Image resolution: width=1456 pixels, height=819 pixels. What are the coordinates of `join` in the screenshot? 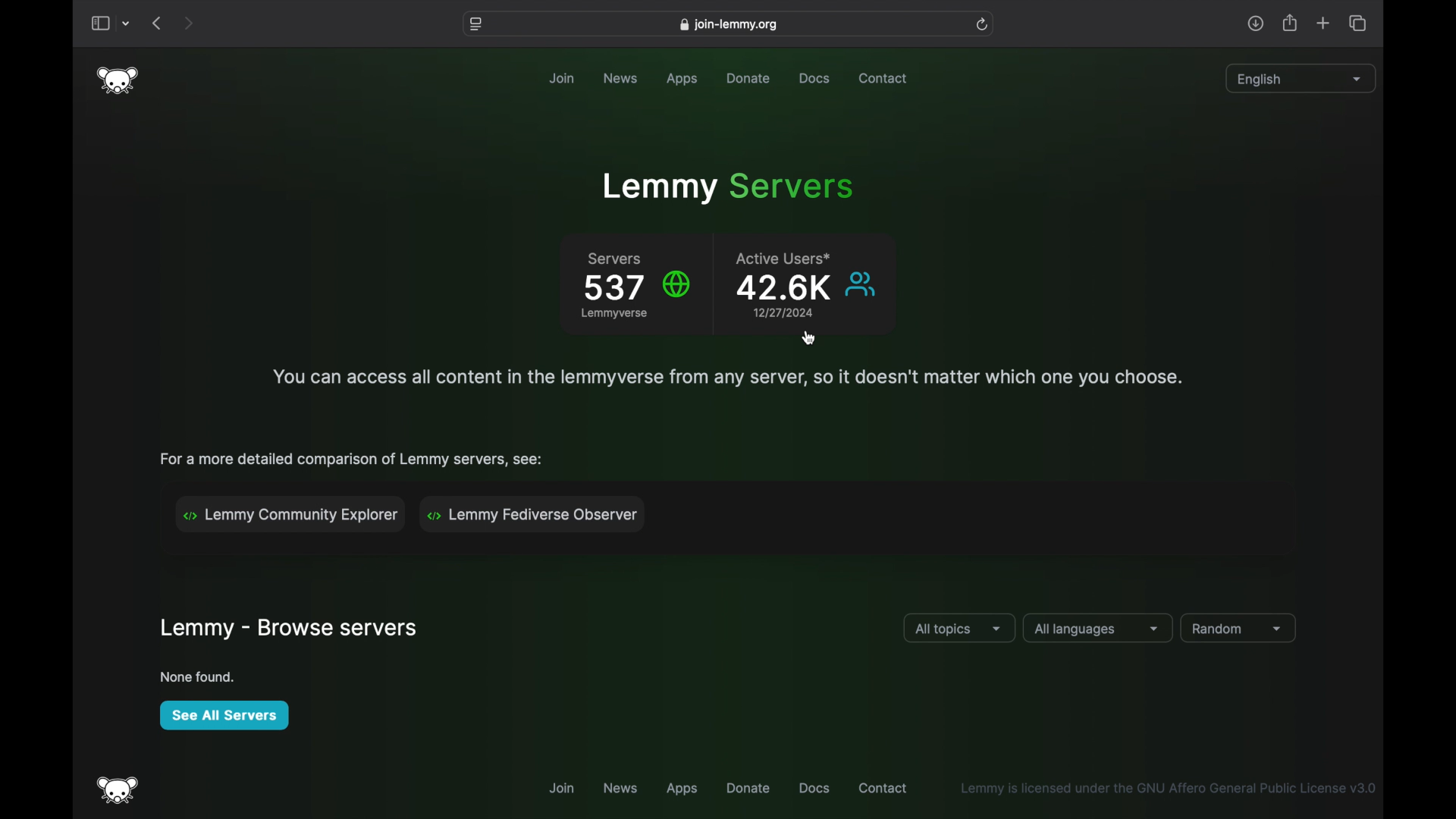 It's located at (561, 78).